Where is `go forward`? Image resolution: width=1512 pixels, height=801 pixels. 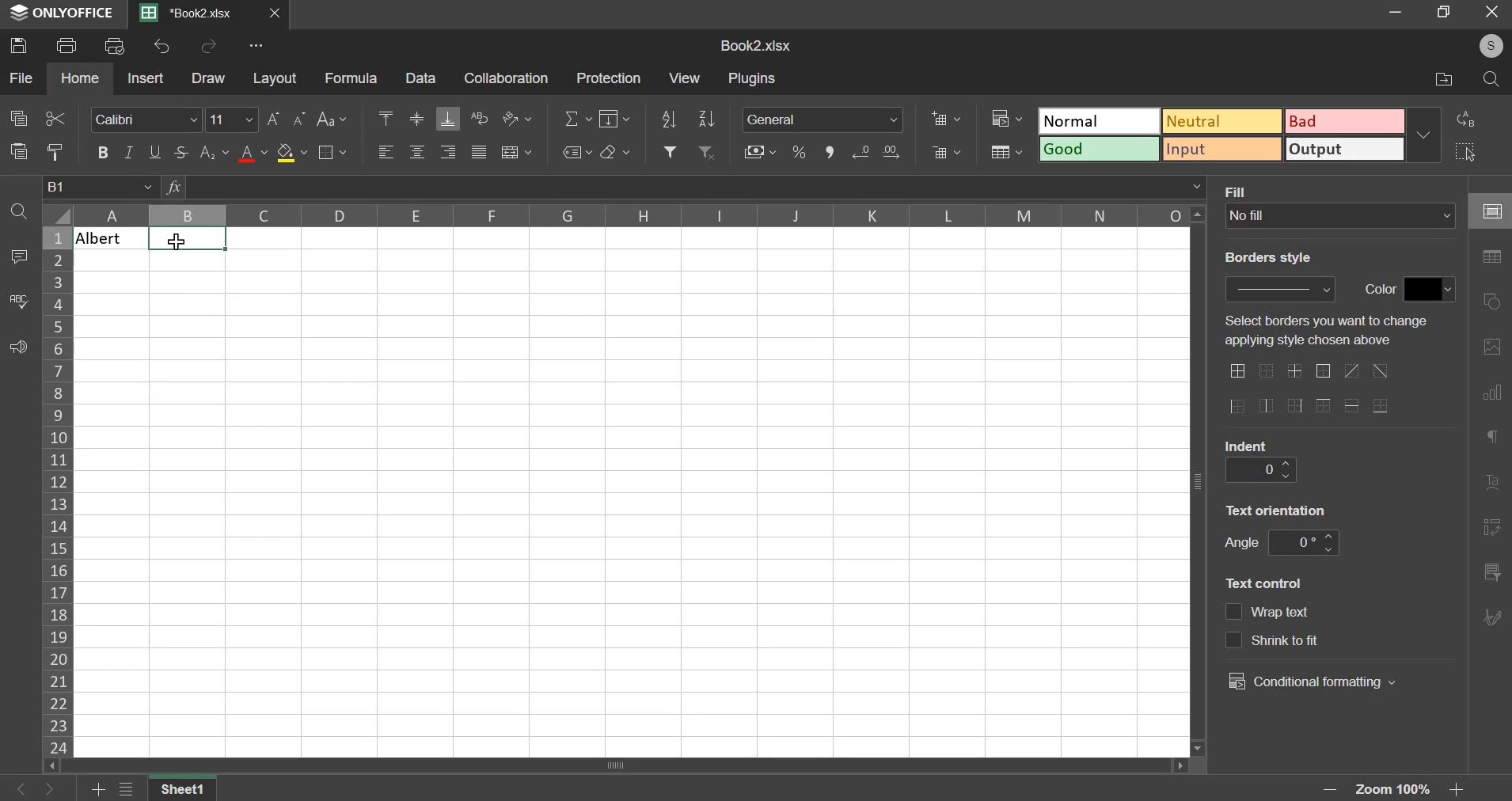 go forward is located at coordinates (57, 789).